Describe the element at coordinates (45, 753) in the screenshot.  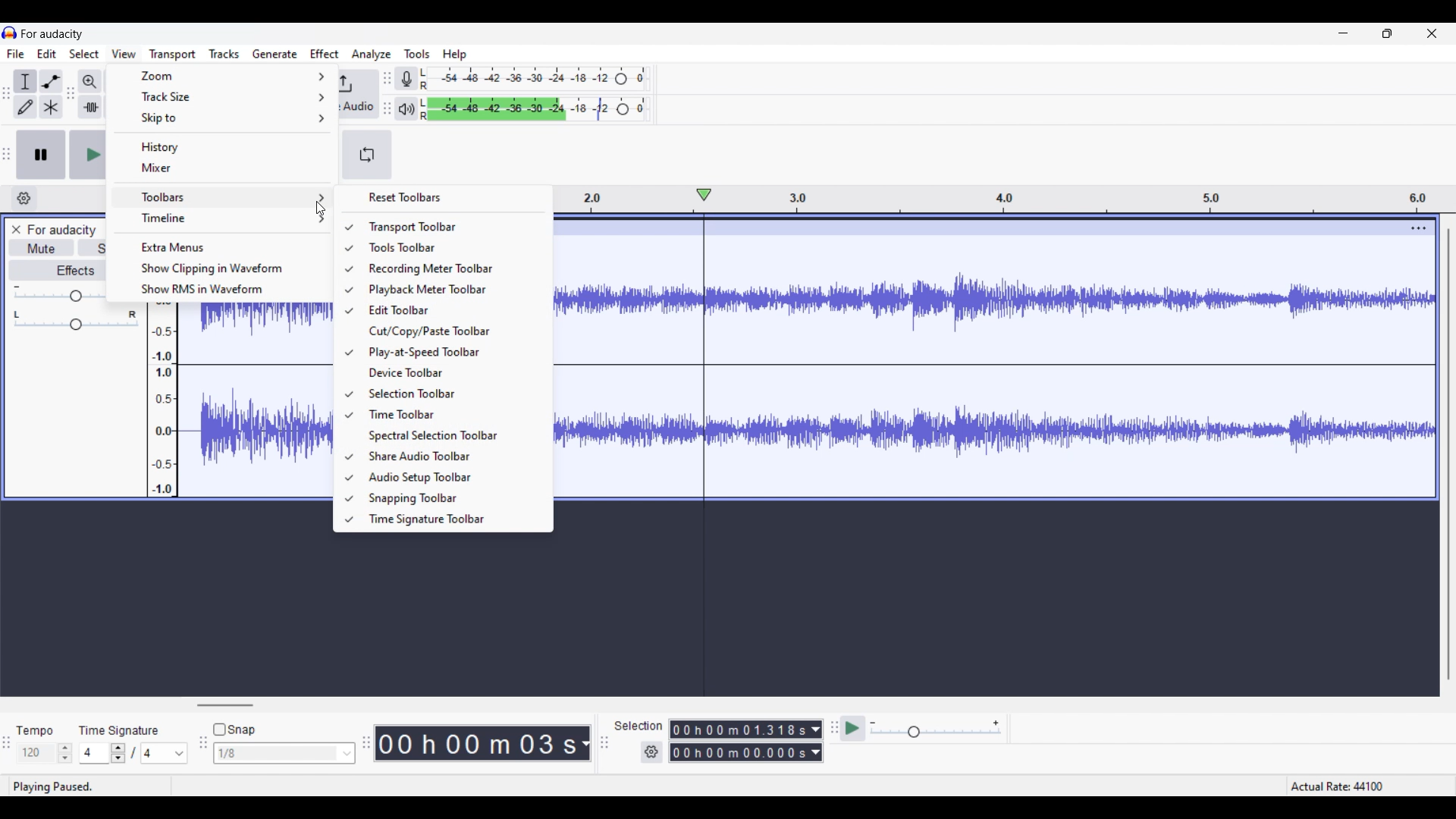
I see `Tempo settings` at that location.